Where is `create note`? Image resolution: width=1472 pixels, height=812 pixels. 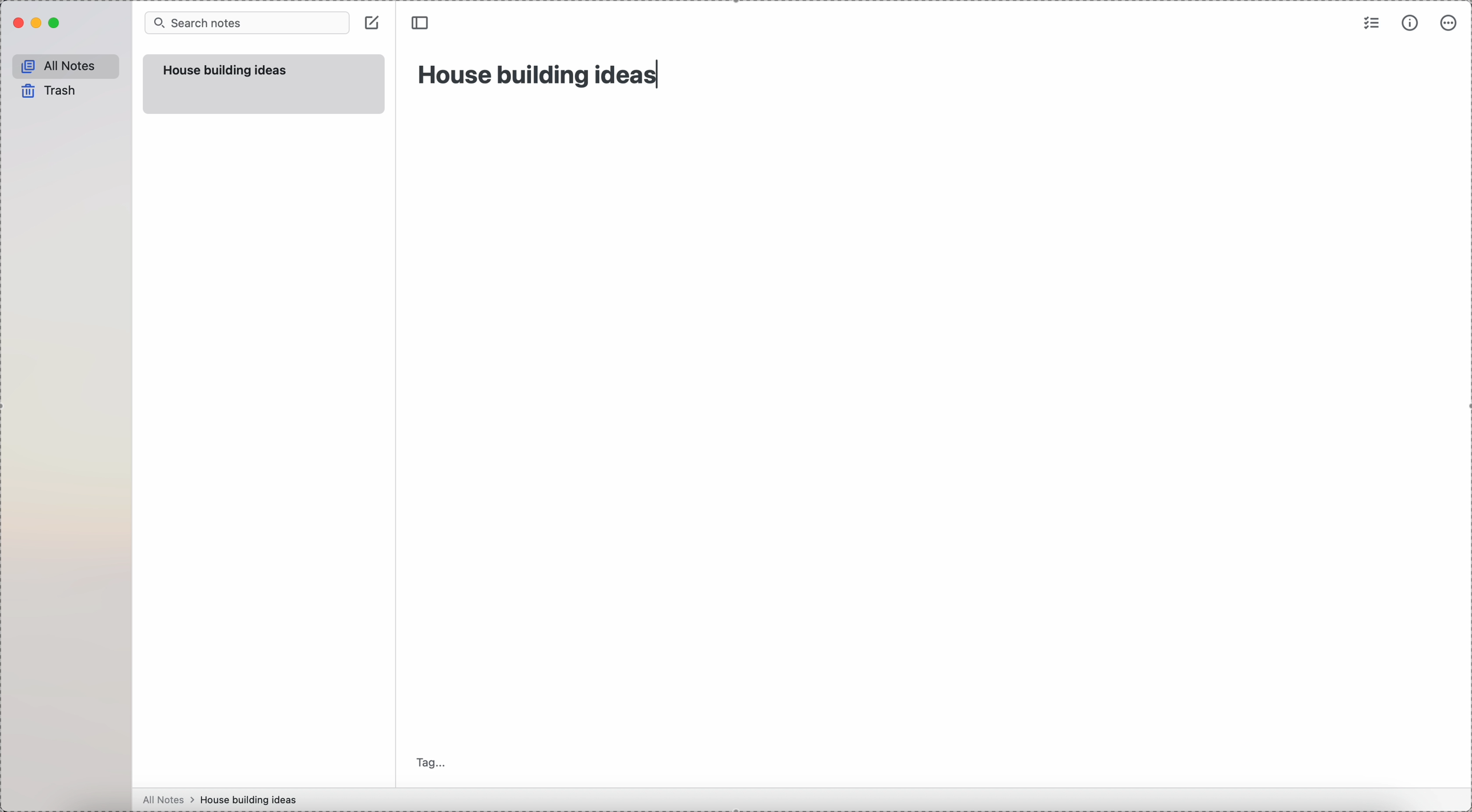 create note is located at coordinates (374, 26).